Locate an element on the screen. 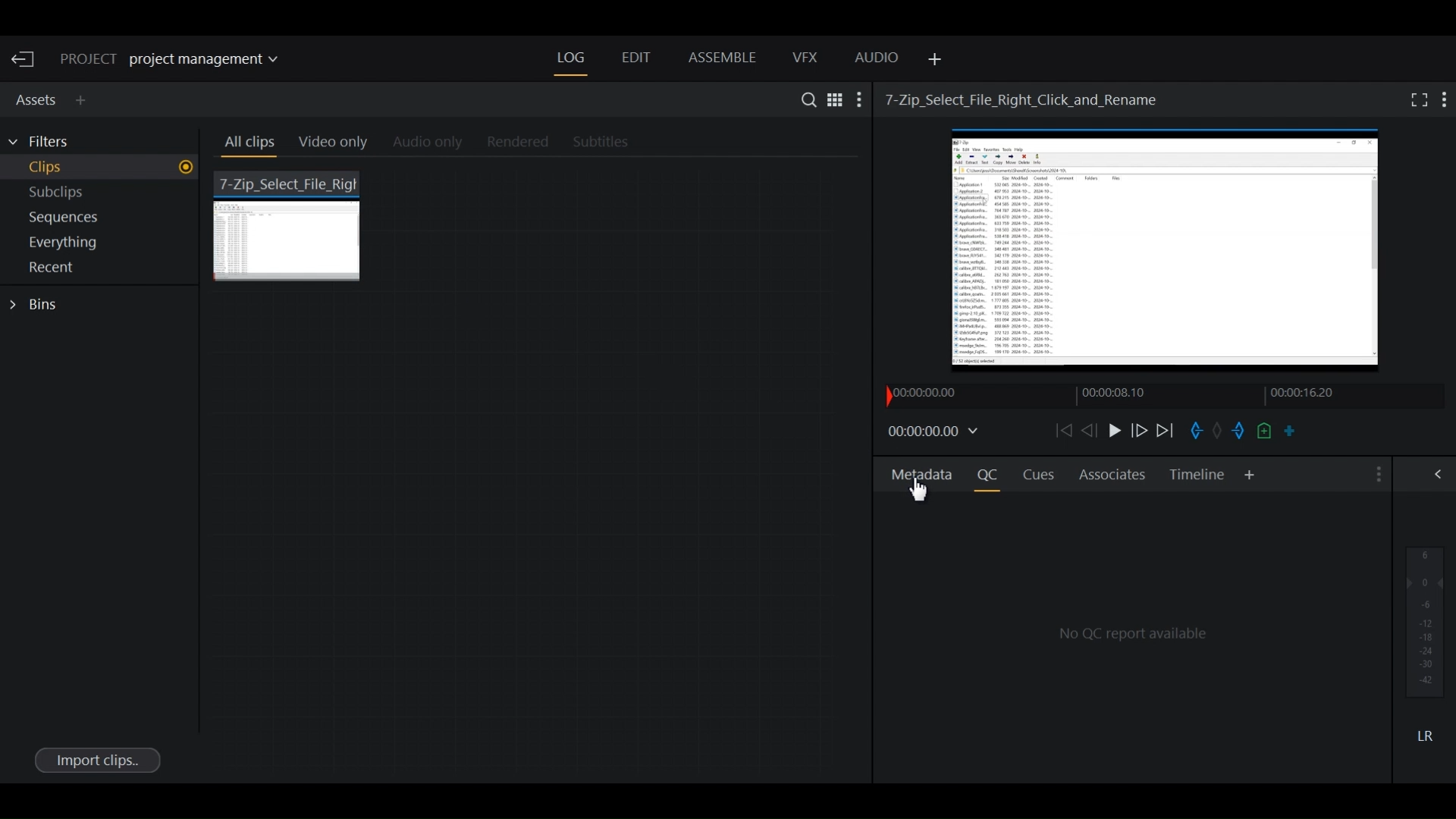  Add Panel is located at coordinates (932, 60).